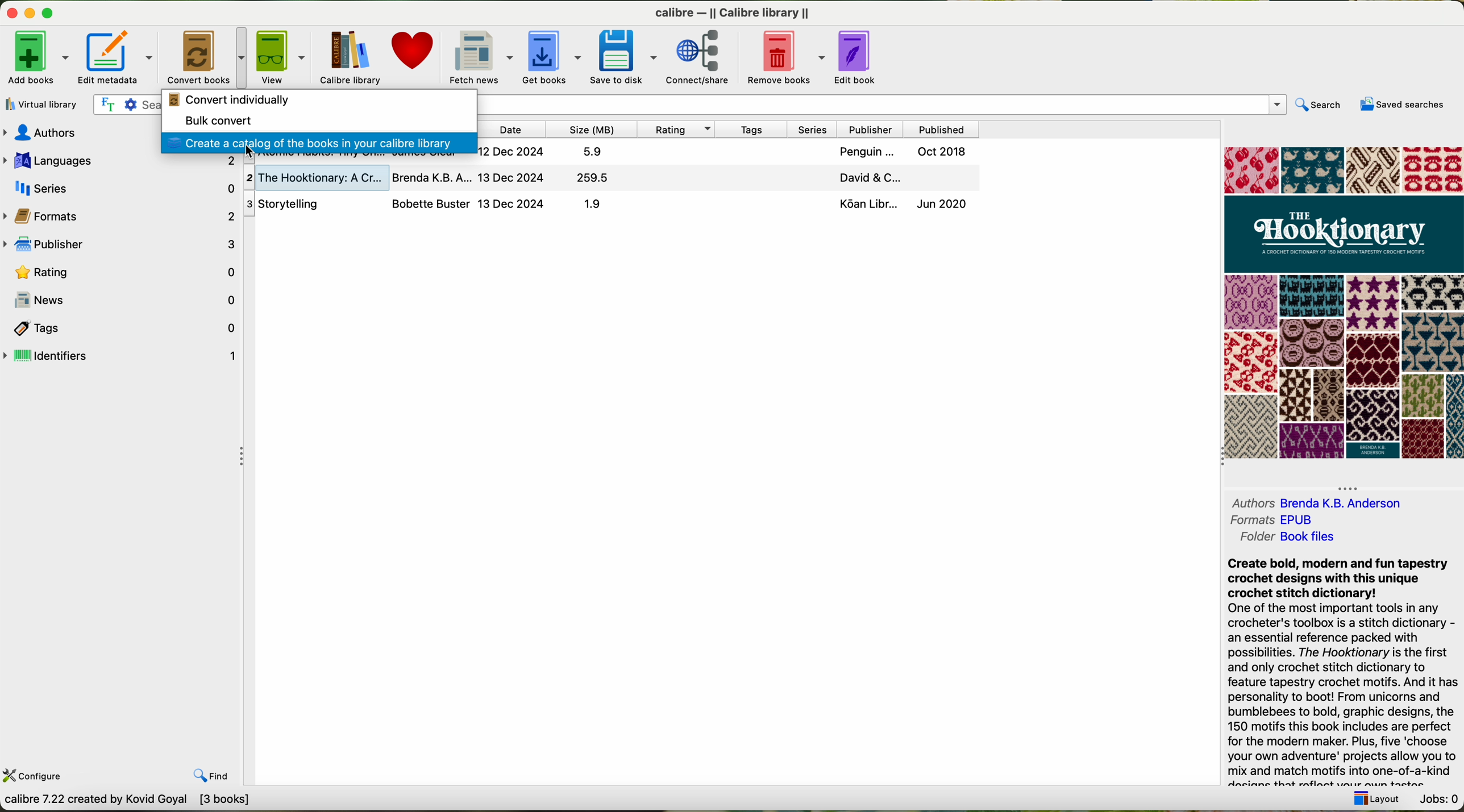  I want to click on identifiers, so click(121, 355).